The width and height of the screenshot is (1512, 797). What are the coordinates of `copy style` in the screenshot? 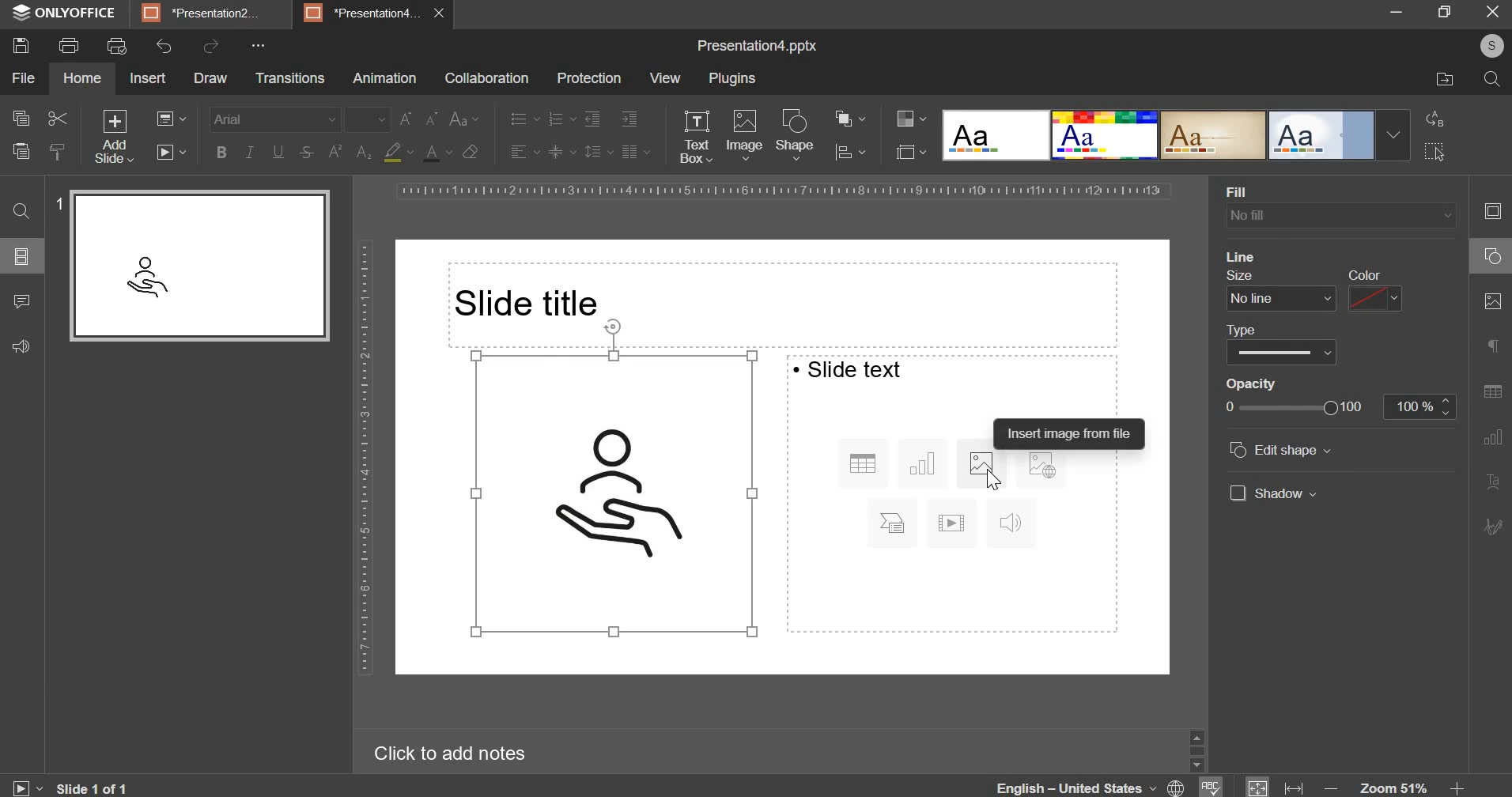 It's located at (57, 149).